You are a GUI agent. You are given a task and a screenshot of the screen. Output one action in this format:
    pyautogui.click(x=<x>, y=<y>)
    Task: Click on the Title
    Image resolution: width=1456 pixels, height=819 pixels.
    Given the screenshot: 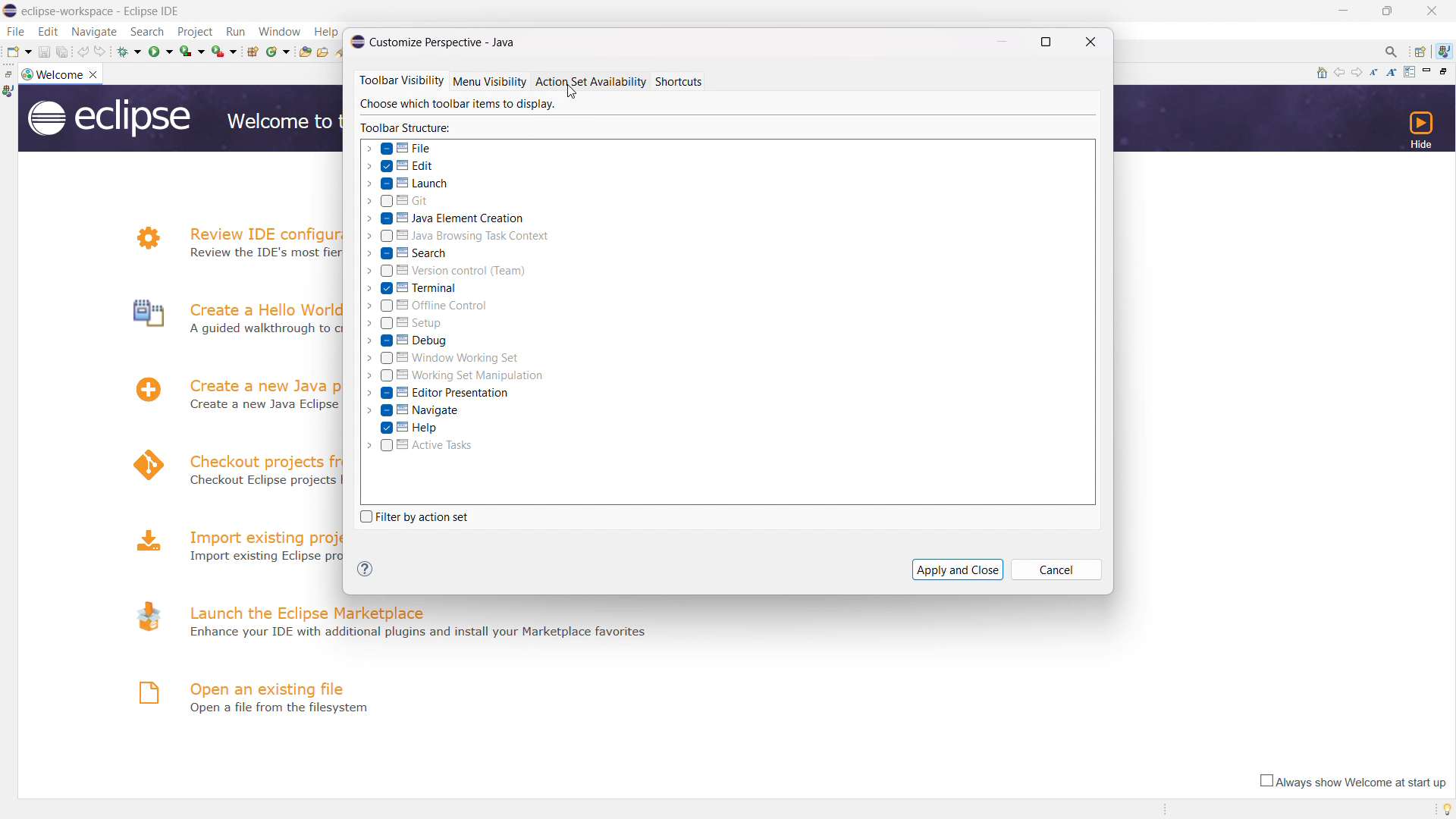 What is the action you would take?
    pyautogui.click(x=111, y=10)
    